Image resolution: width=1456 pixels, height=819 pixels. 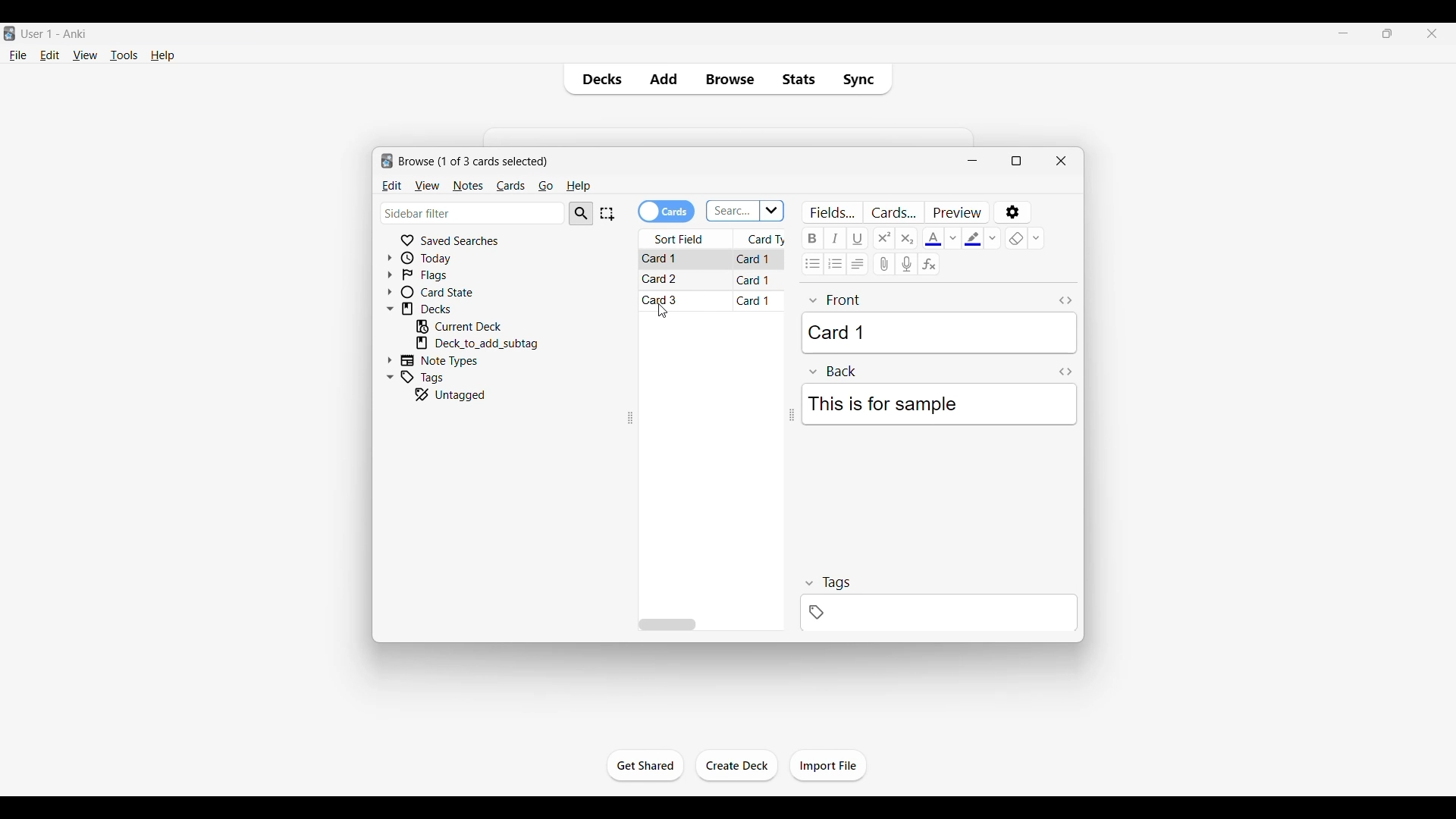 What do you see at coordinates (663, 312) in the screenshot?
I see `cursor` at bounding box center [663, 312].